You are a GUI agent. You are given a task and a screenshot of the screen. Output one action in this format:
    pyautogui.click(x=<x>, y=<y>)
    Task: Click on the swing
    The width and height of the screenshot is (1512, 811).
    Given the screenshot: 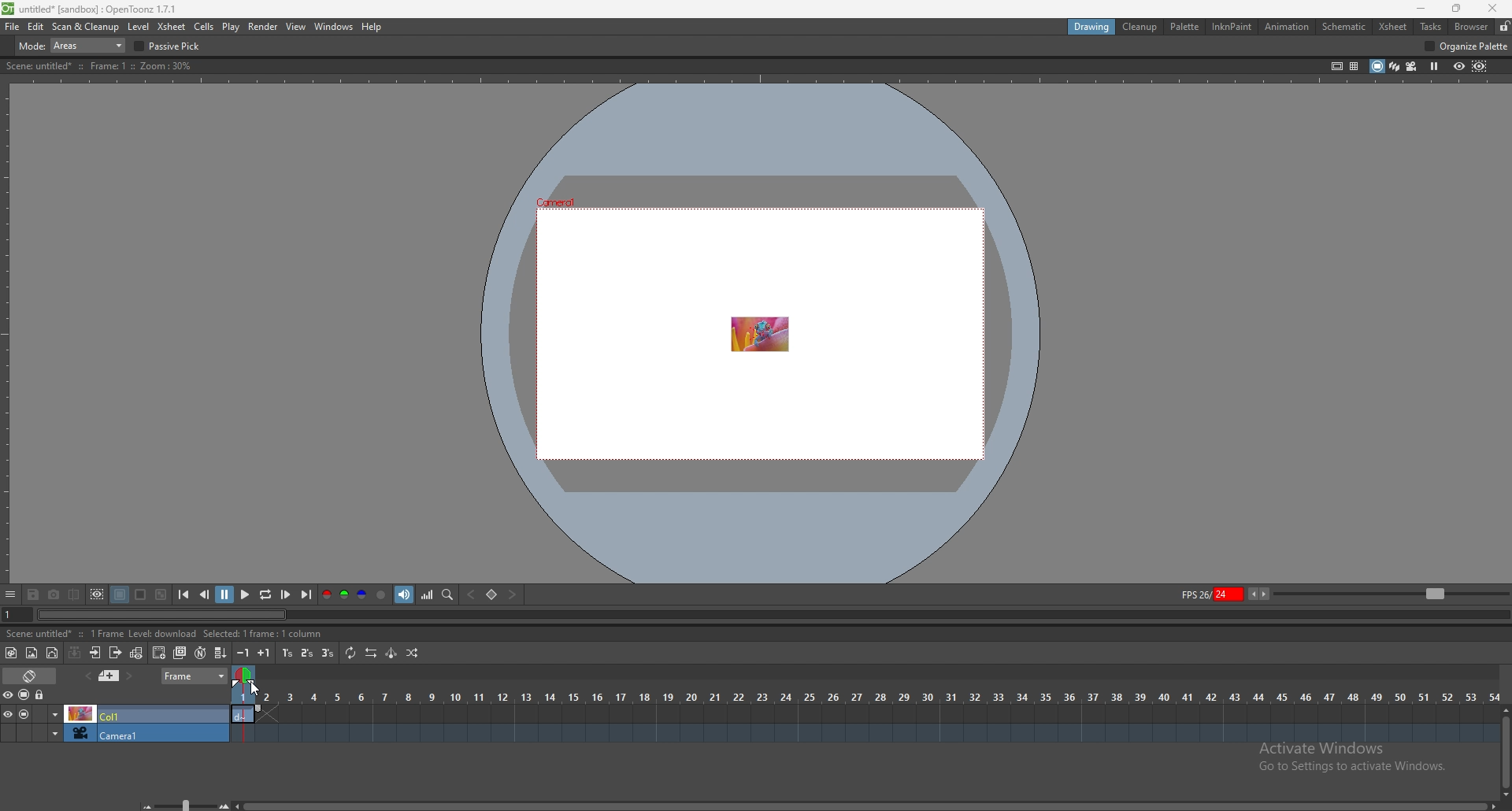 What is the action you would take?
    pyautogui.click(x=392, y=652)
    